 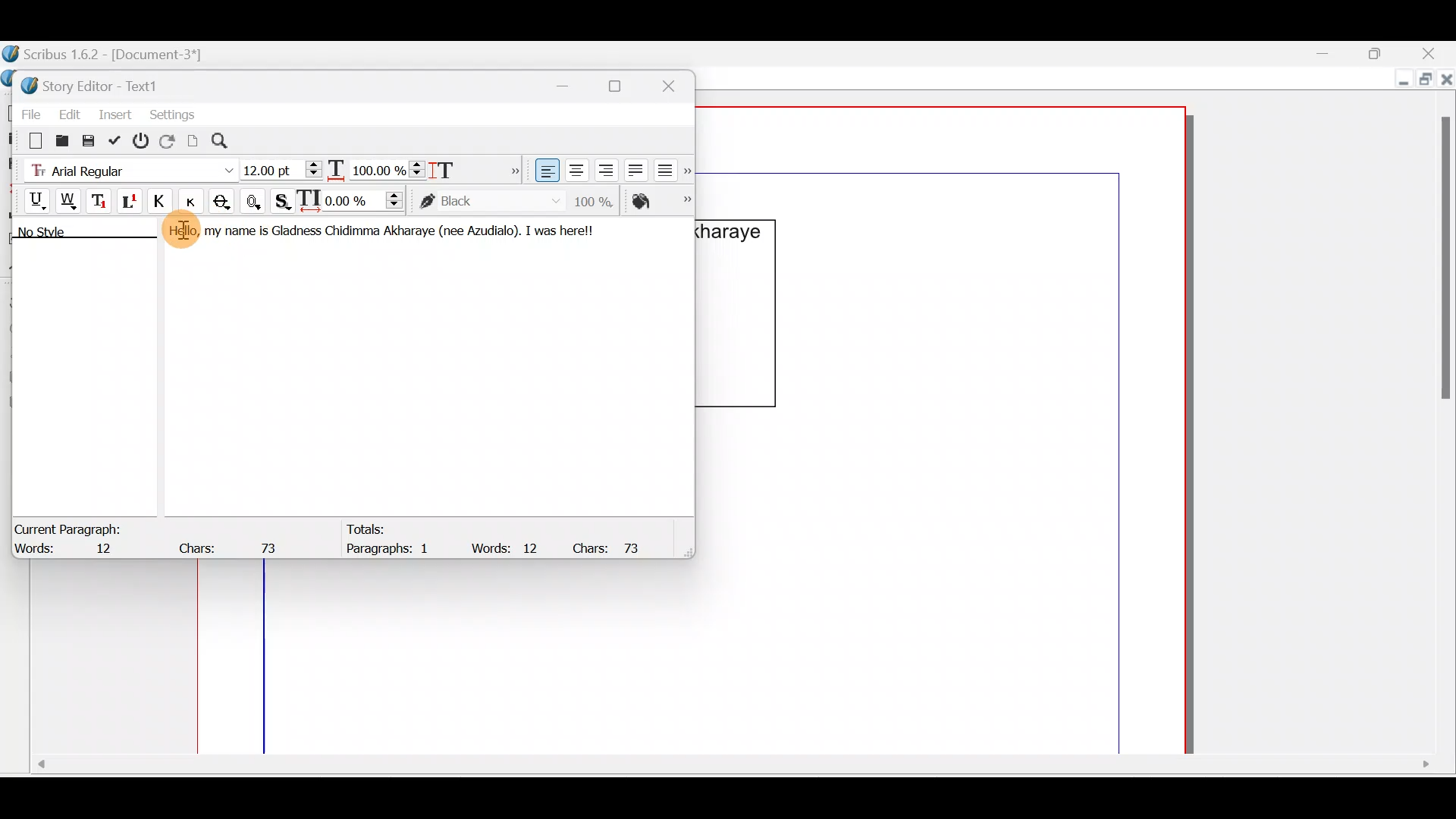 I want to click on Edit , so click(x=69, y=111).